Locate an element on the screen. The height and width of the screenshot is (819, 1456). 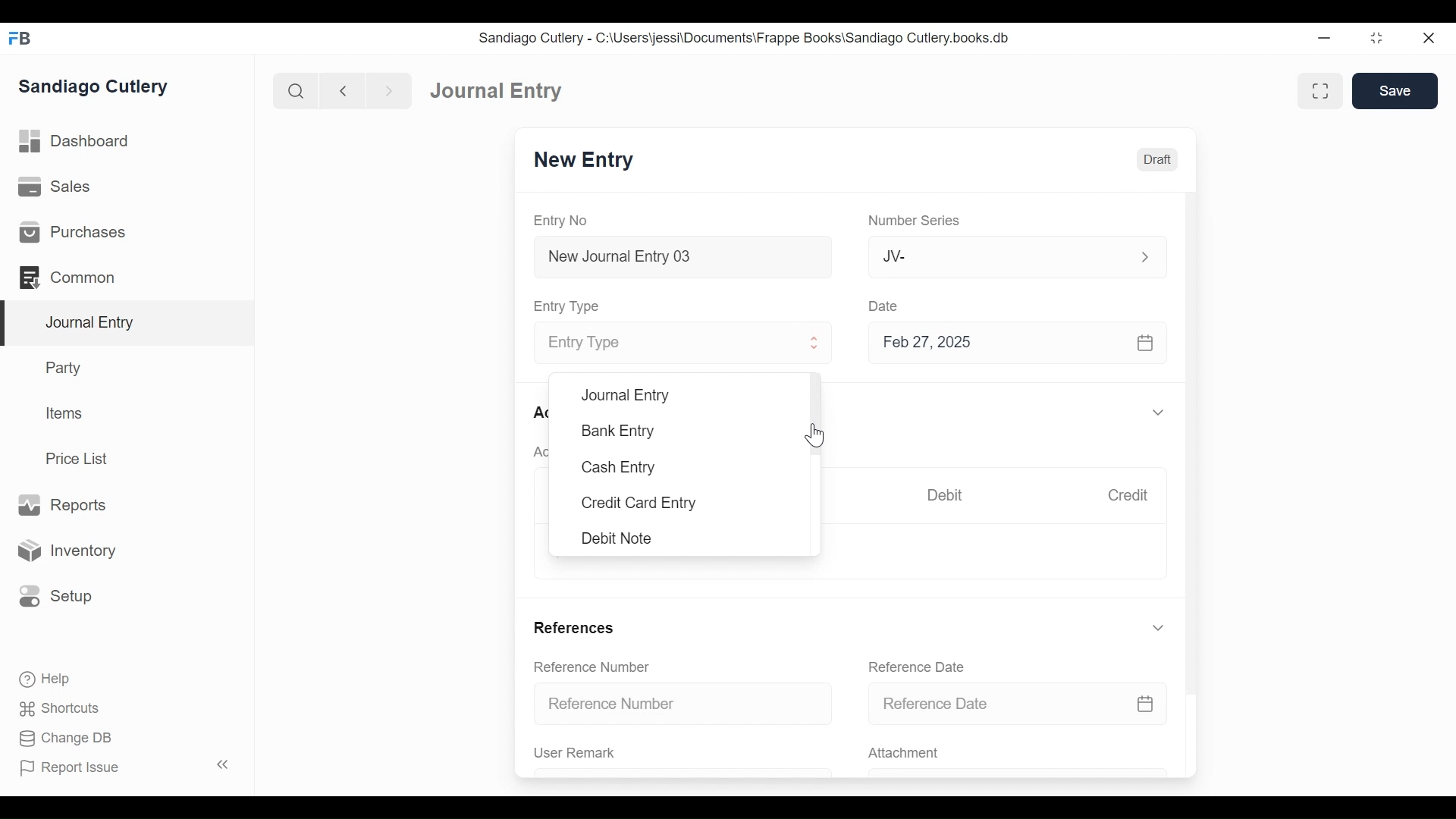
Save is located at coordinates (1397, 91).